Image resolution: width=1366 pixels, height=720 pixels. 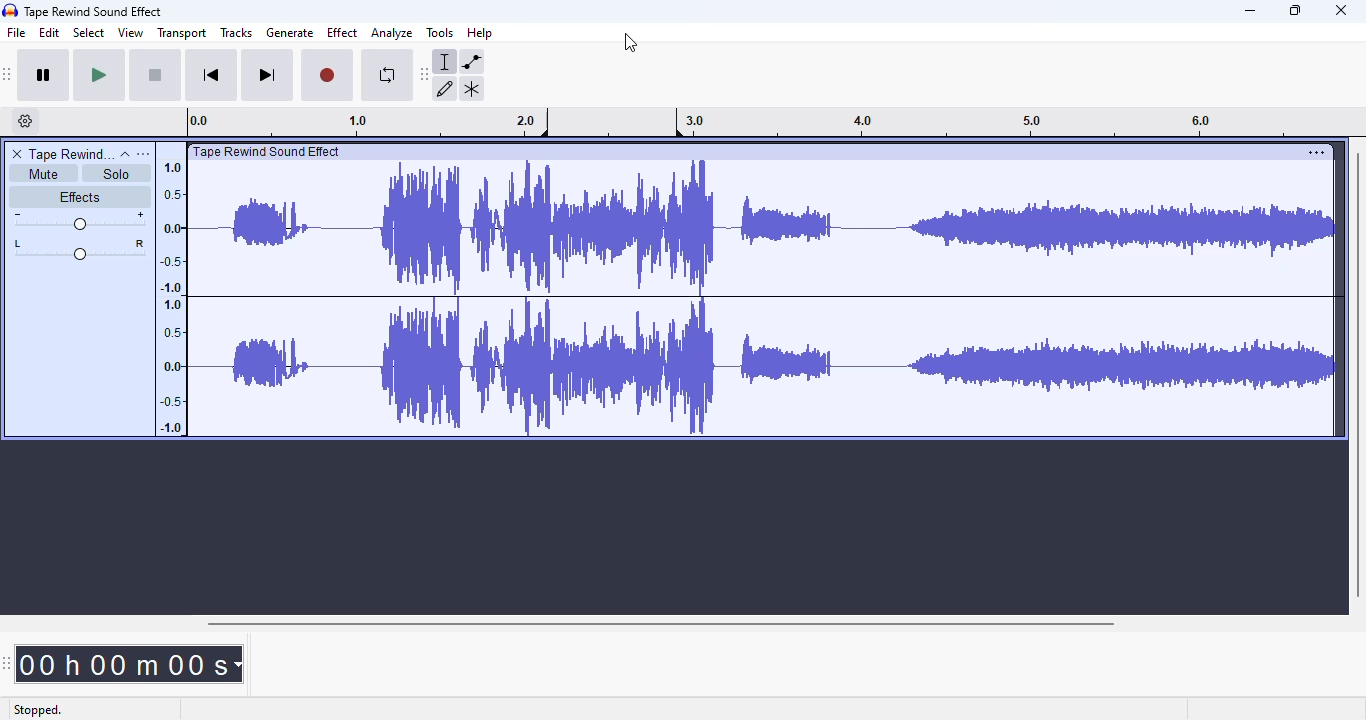 I want to click on enable looping, so click(x=385, y=78).